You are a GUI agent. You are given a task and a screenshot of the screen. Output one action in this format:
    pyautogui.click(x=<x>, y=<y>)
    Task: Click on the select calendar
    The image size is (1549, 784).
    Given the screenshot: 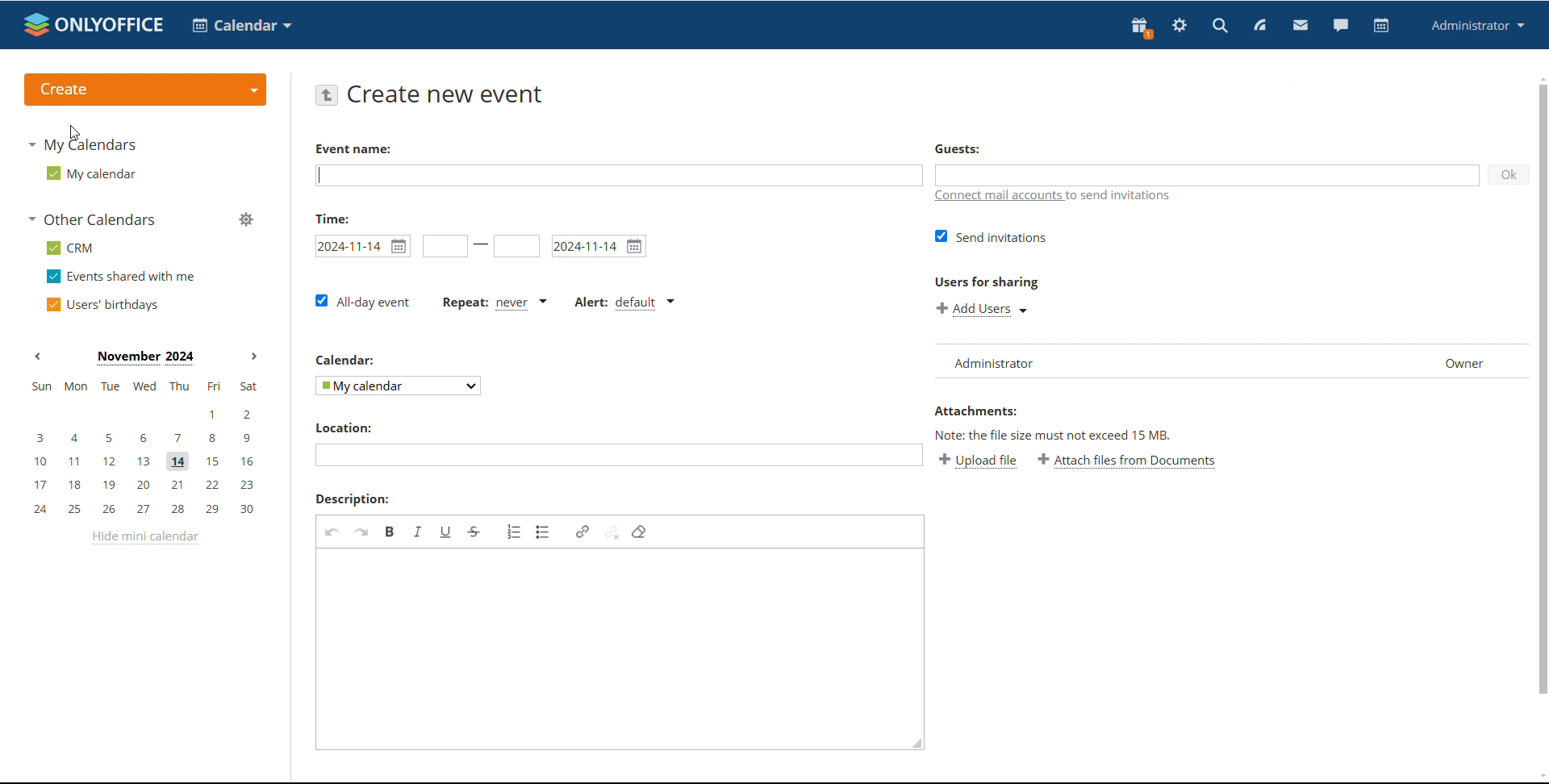 What is the action you would take?
    pyautogui.click(x=399, y=385)
    